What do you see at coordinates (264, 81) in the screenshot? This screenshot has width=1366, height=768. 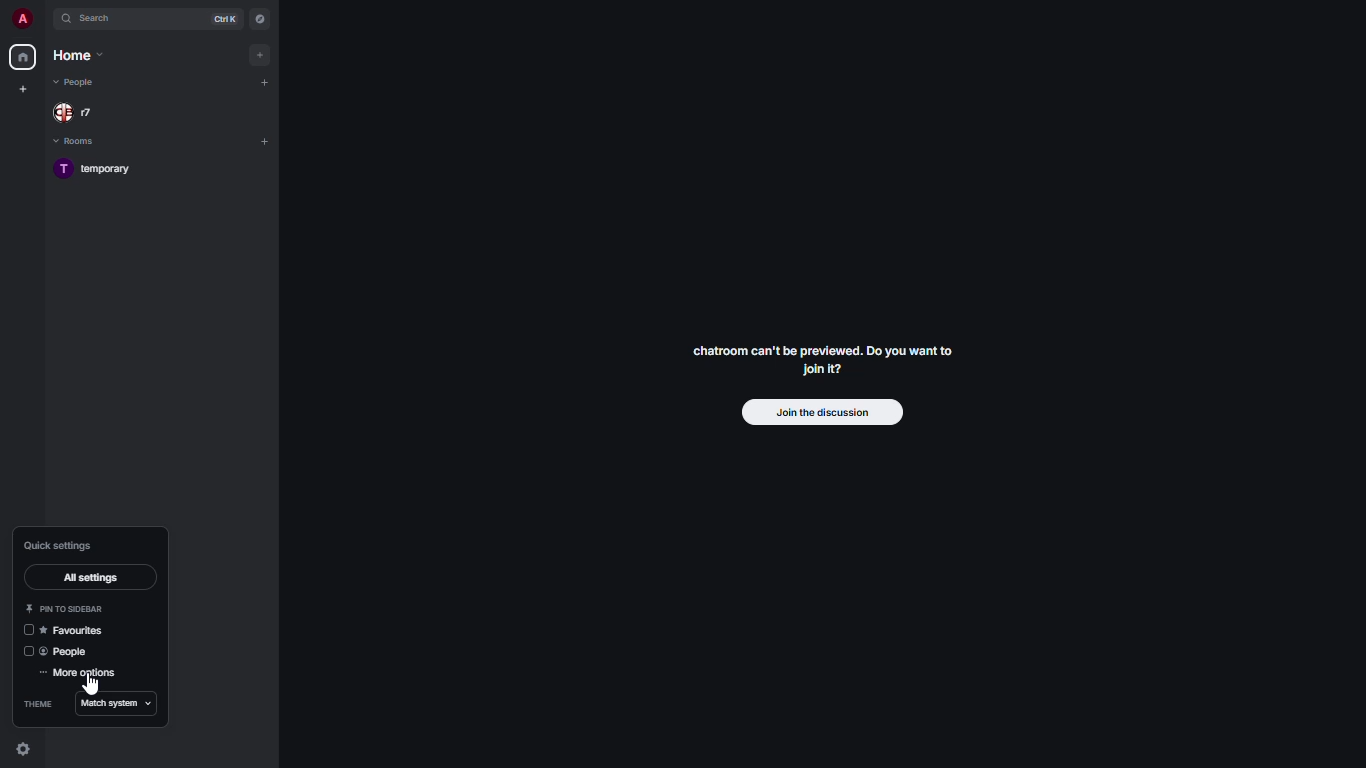 I see `add` at bounding box center [264, 81].